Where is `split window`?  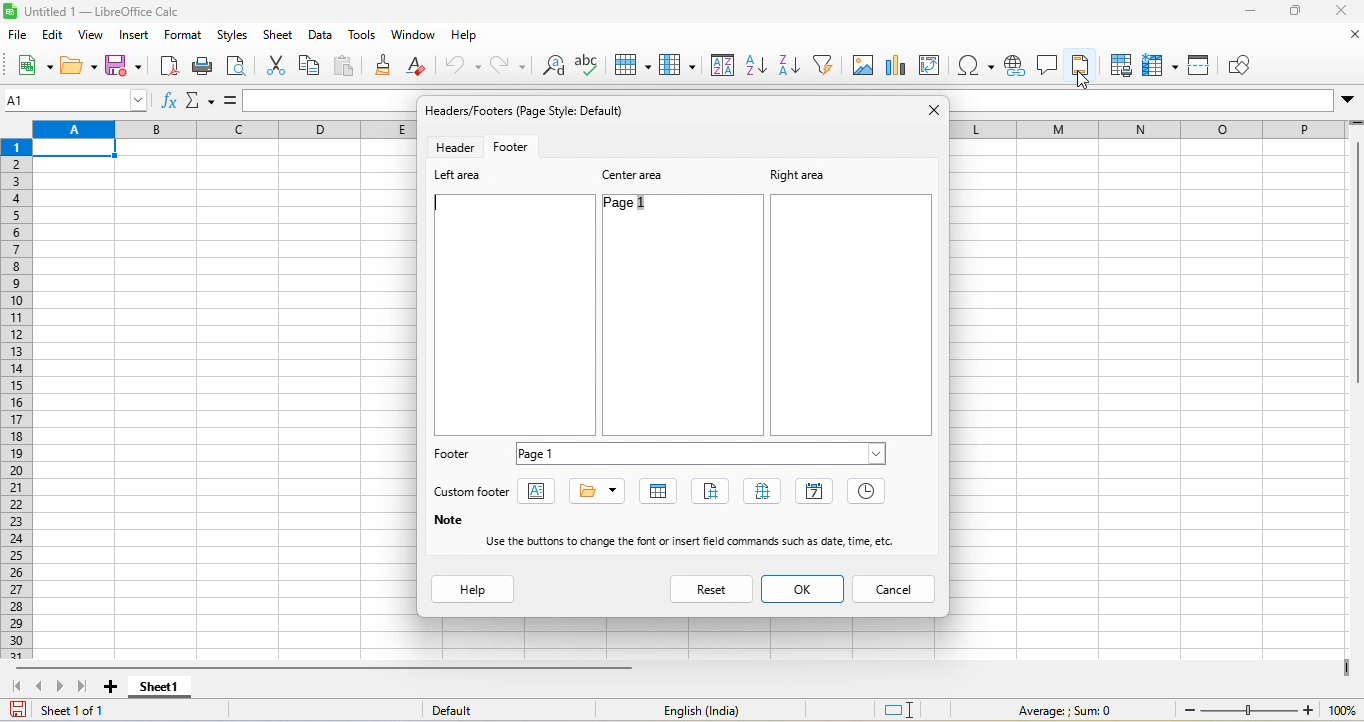 split window is located at coordinates (1202, 63).